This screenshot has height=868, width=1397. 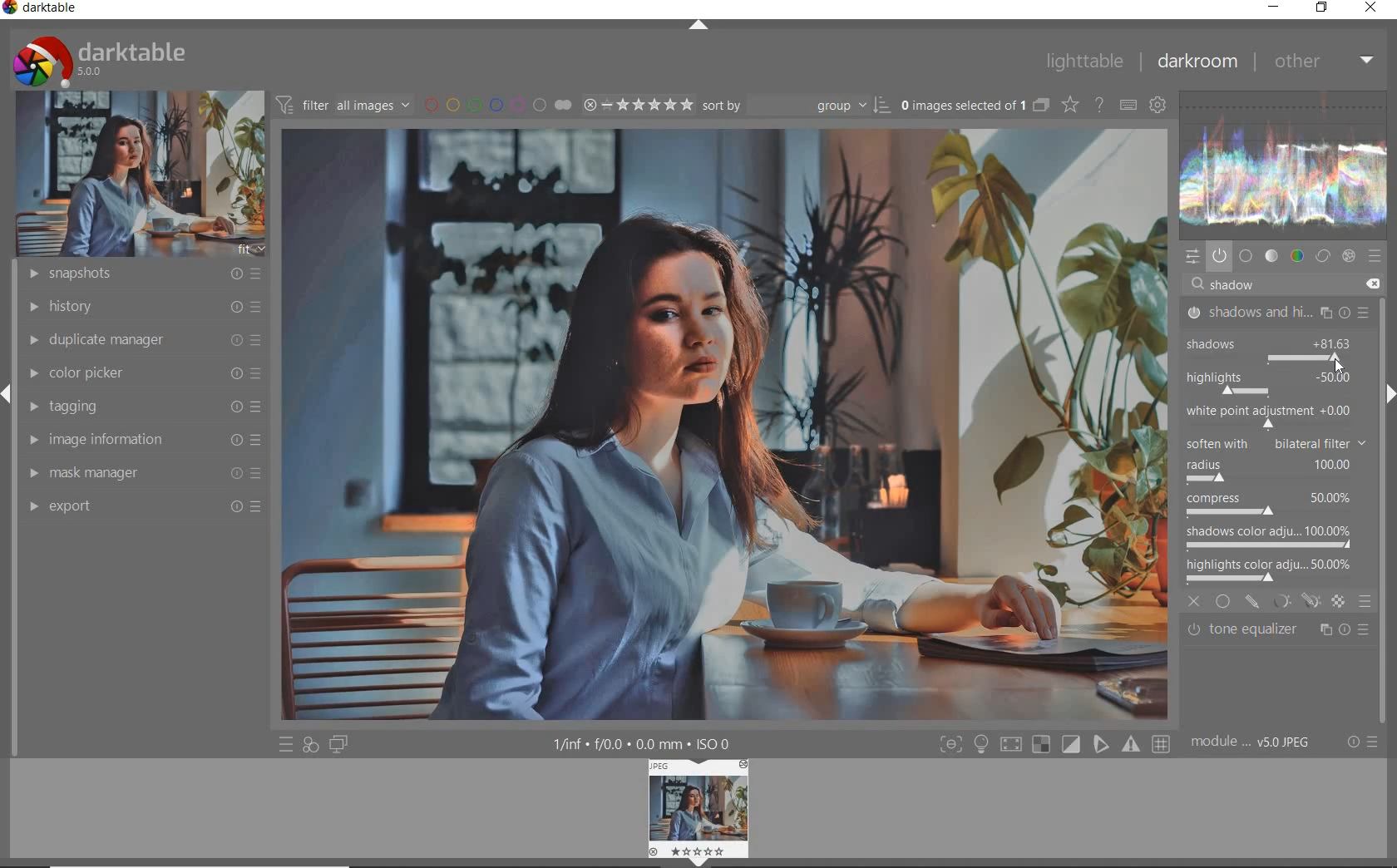 What do you see at coordinates (1239, 285) in the screenshot?
I see `shadow` at bounding box center [1239, 285].